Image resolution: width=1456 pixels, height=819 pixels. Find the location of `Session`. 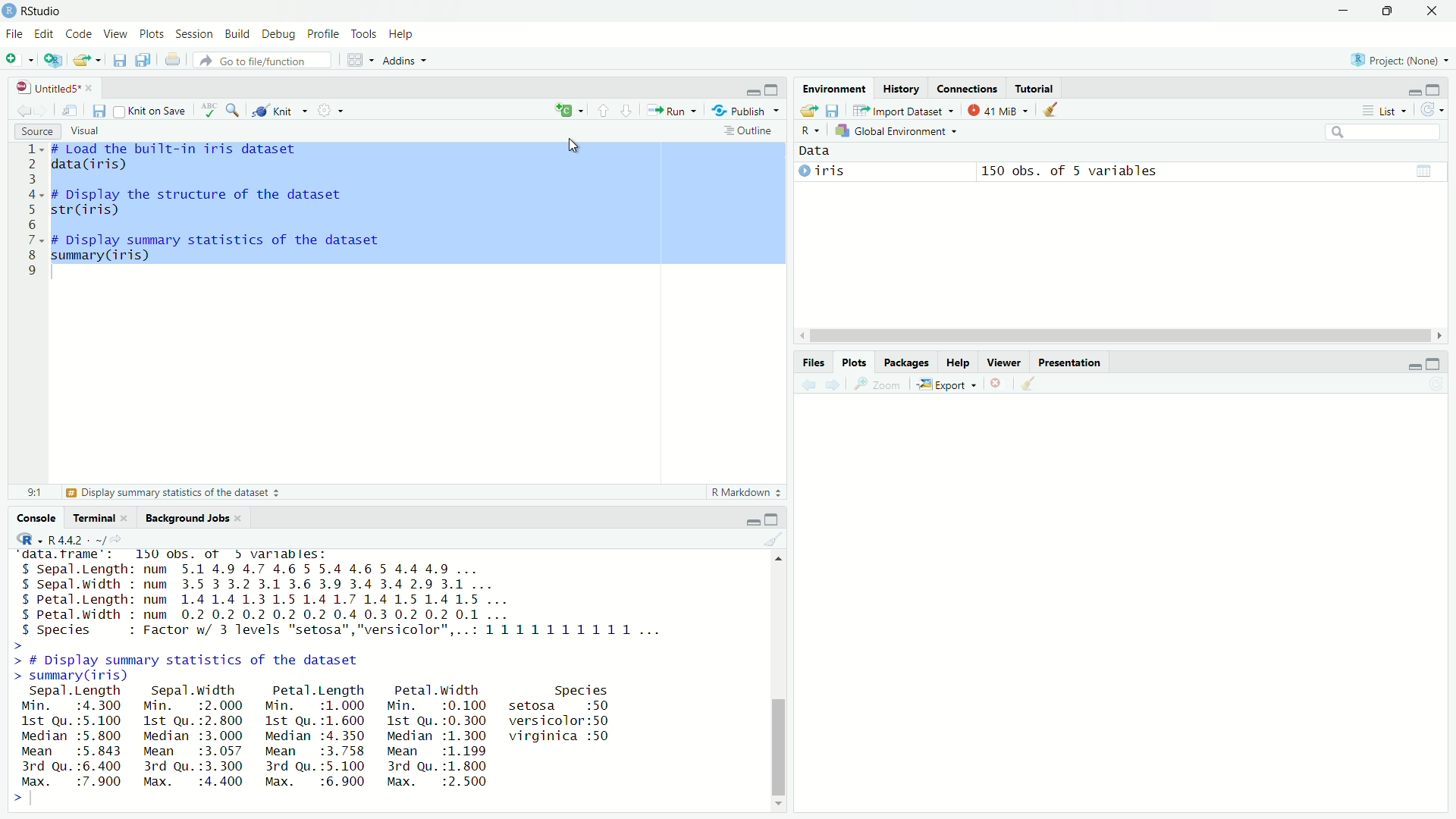

Session is located at coordinates (195, 33).